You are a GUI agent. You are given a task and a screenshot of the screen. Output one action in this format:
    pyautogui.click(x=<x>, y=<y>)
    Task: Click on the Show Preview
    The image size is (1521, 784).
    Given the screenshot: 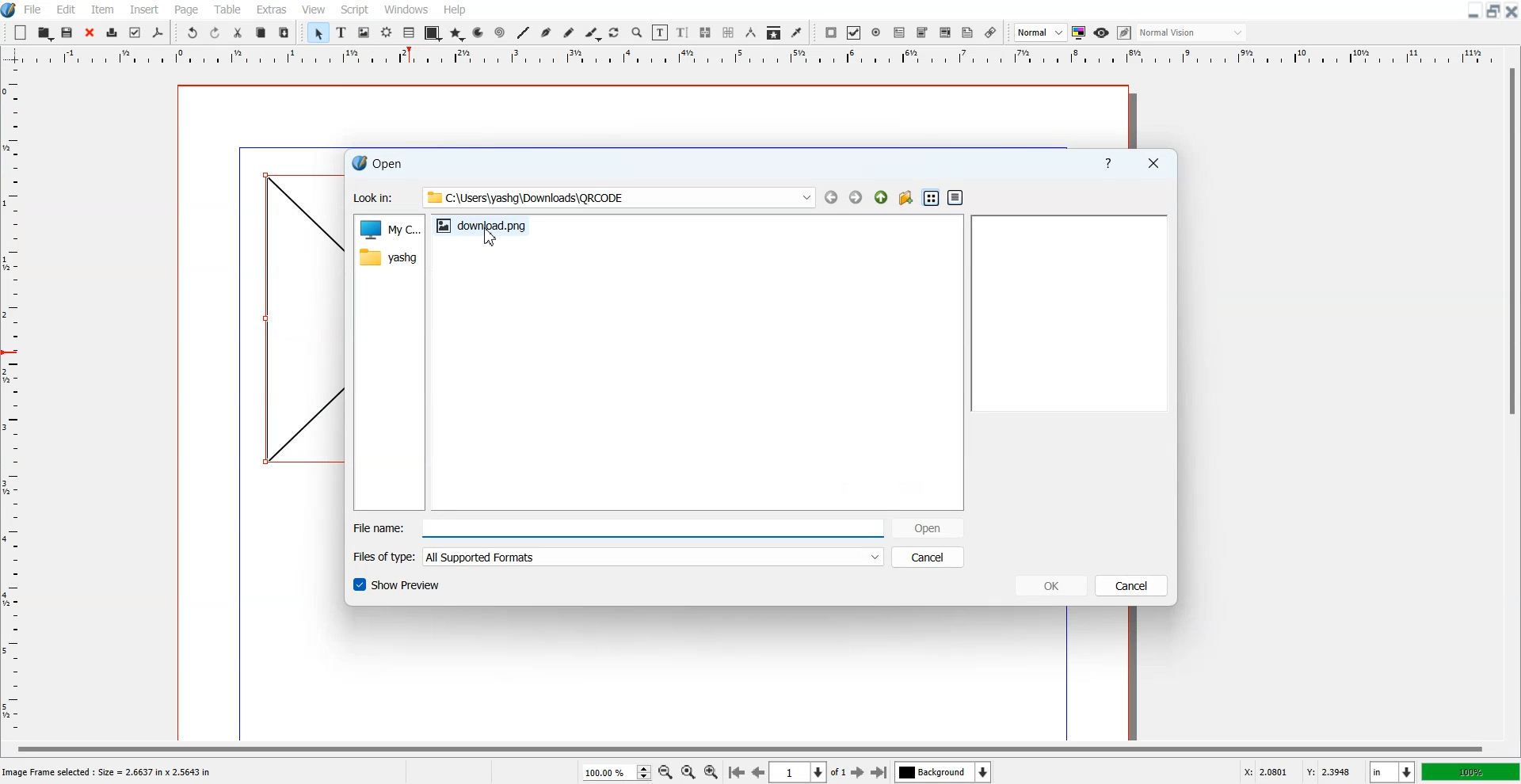 What is the action you would take?
    pyautogui.click(x=396, y=584)
    